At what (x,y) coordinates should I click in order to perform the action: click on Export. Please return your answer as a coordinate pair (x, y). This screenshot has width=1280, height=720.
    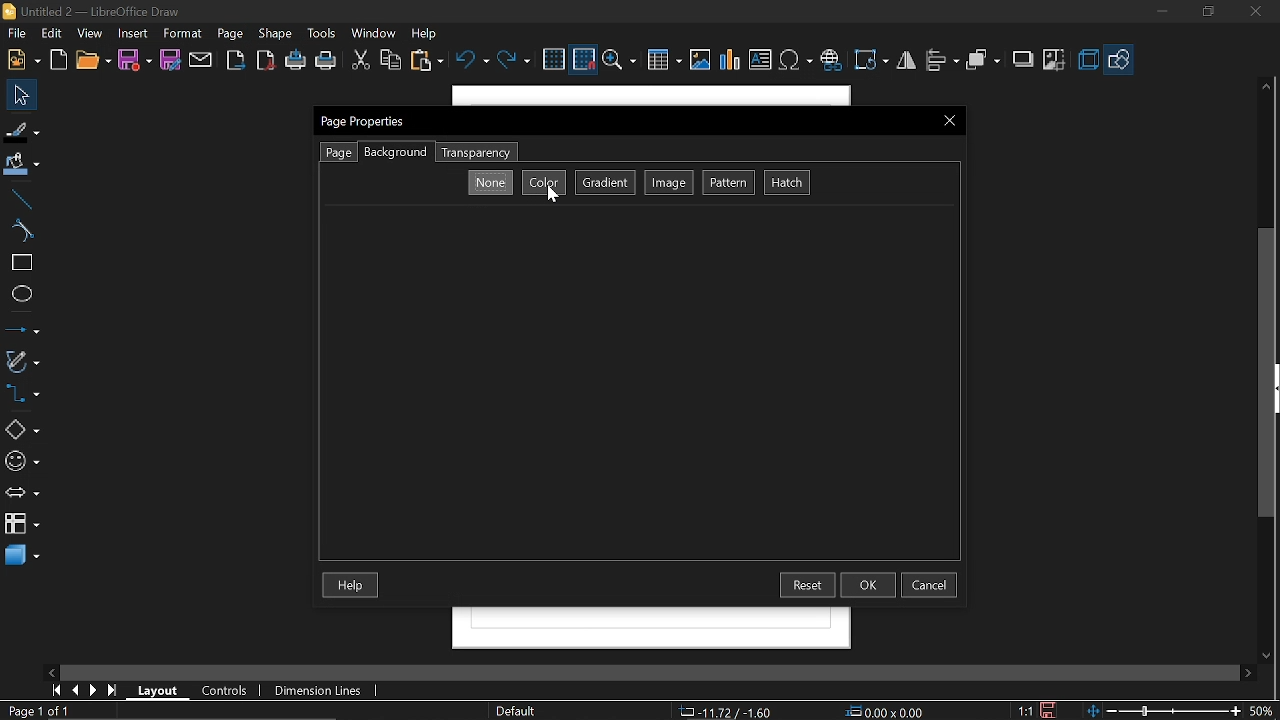
    Looking at the image, I should click on (238, 60).